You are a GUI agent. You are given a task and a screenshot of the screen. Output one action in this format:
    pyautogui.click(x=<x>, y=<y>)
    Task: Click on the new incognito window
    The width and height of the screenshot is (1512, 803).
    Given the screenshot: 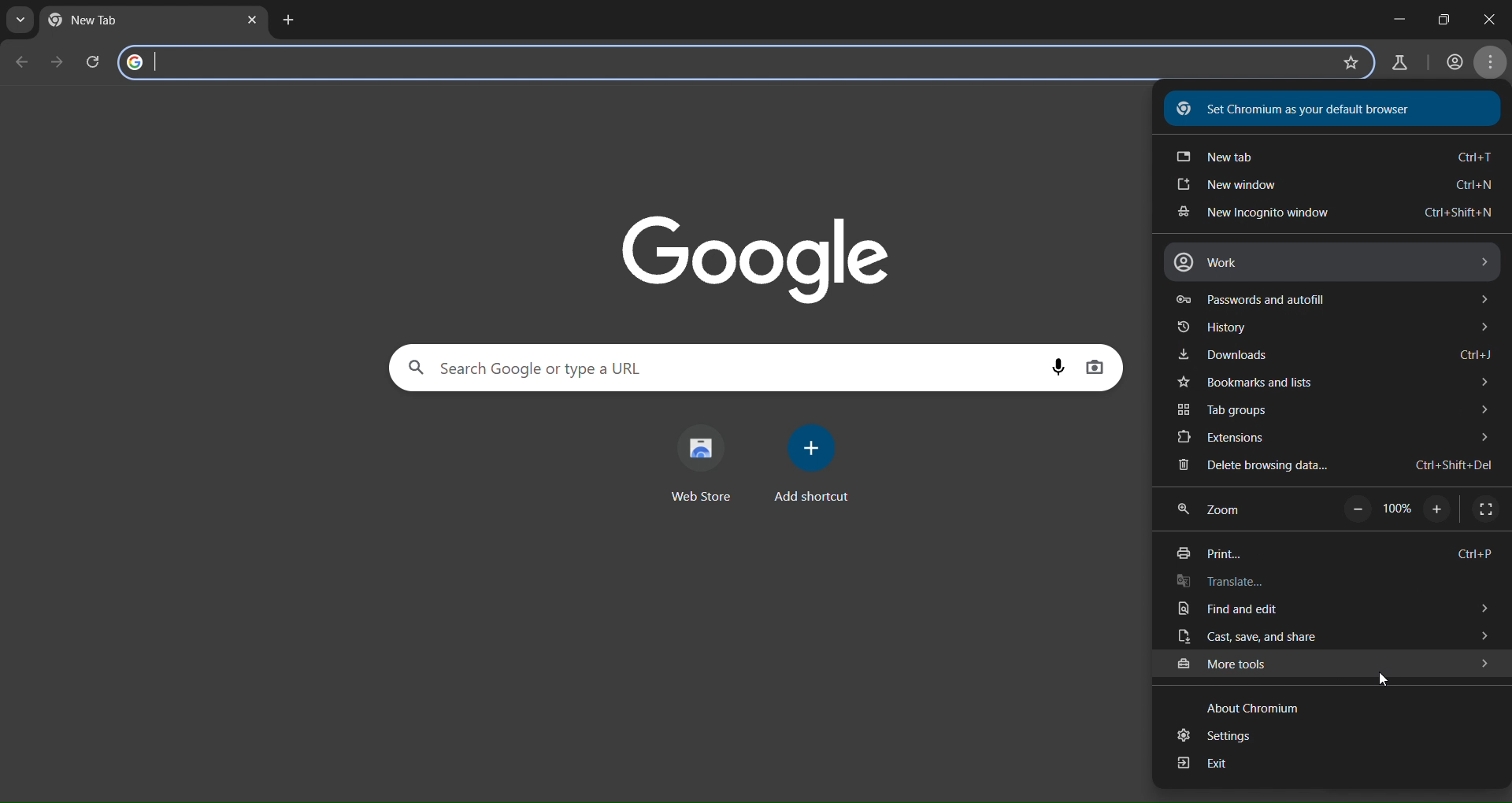 What is the action you would take?
    pyautogui.click(x=1329, y=213)
    